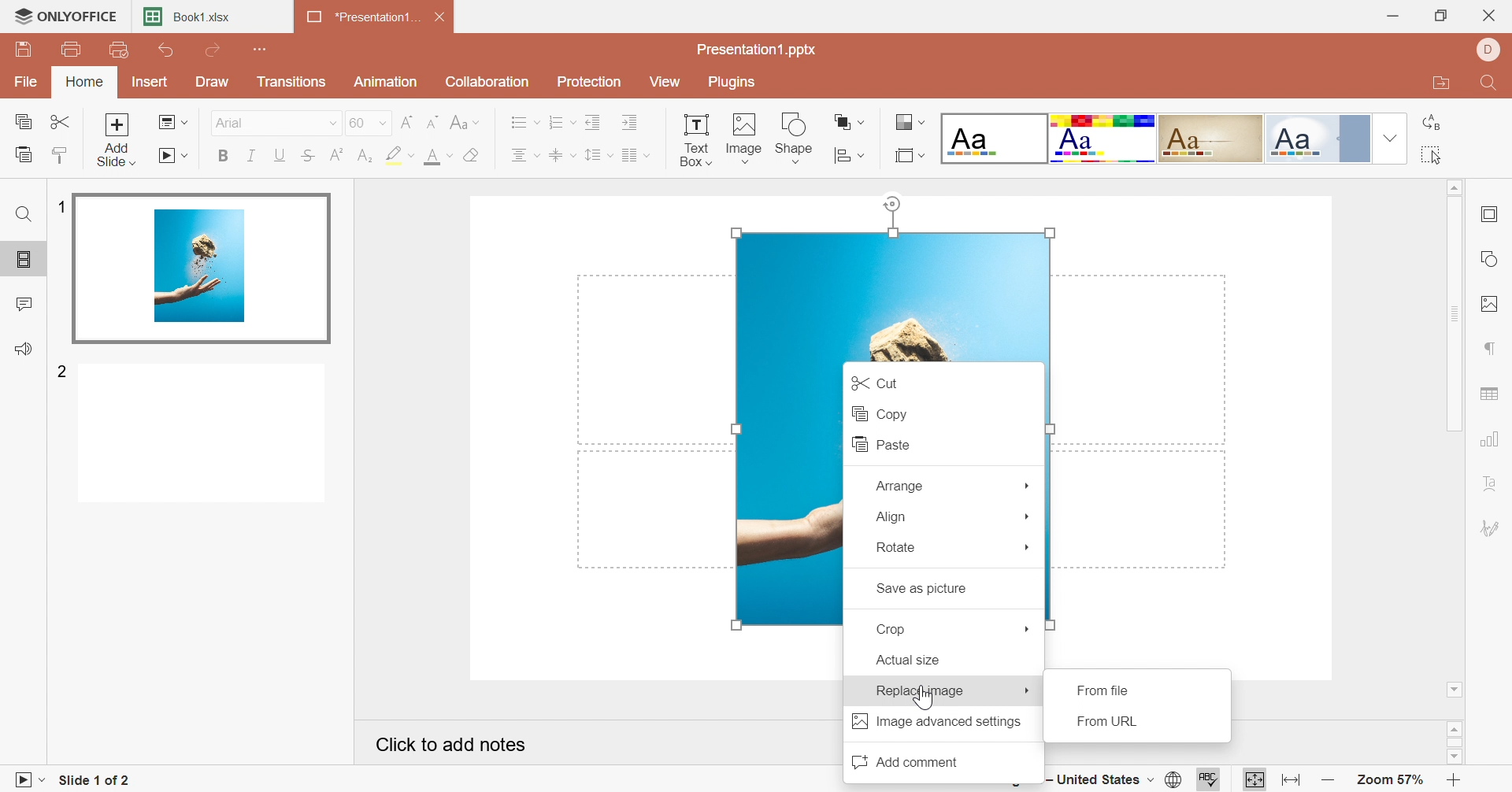  What do you see at coordinates (1177, 779) in the screenshot?
I see `Set document language` at bounding box center [1177, 779].